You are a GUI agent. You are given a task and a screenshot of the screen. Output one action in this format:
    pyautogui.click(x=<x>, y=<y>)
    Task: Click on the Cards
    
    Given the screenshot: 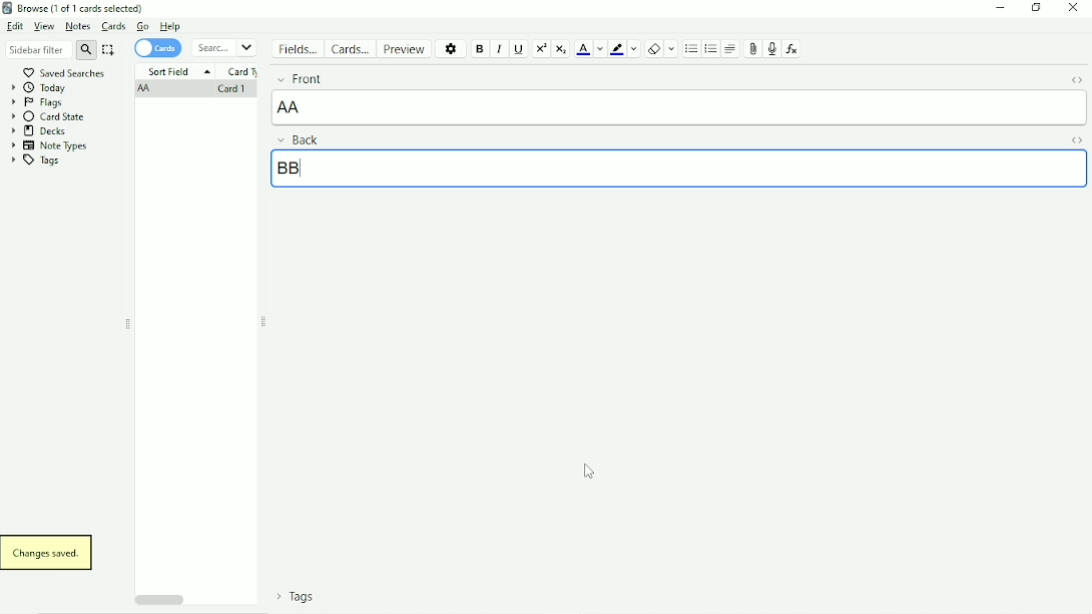 What is the action you would take?
    pyautogui.click(x=158, y=49)
    